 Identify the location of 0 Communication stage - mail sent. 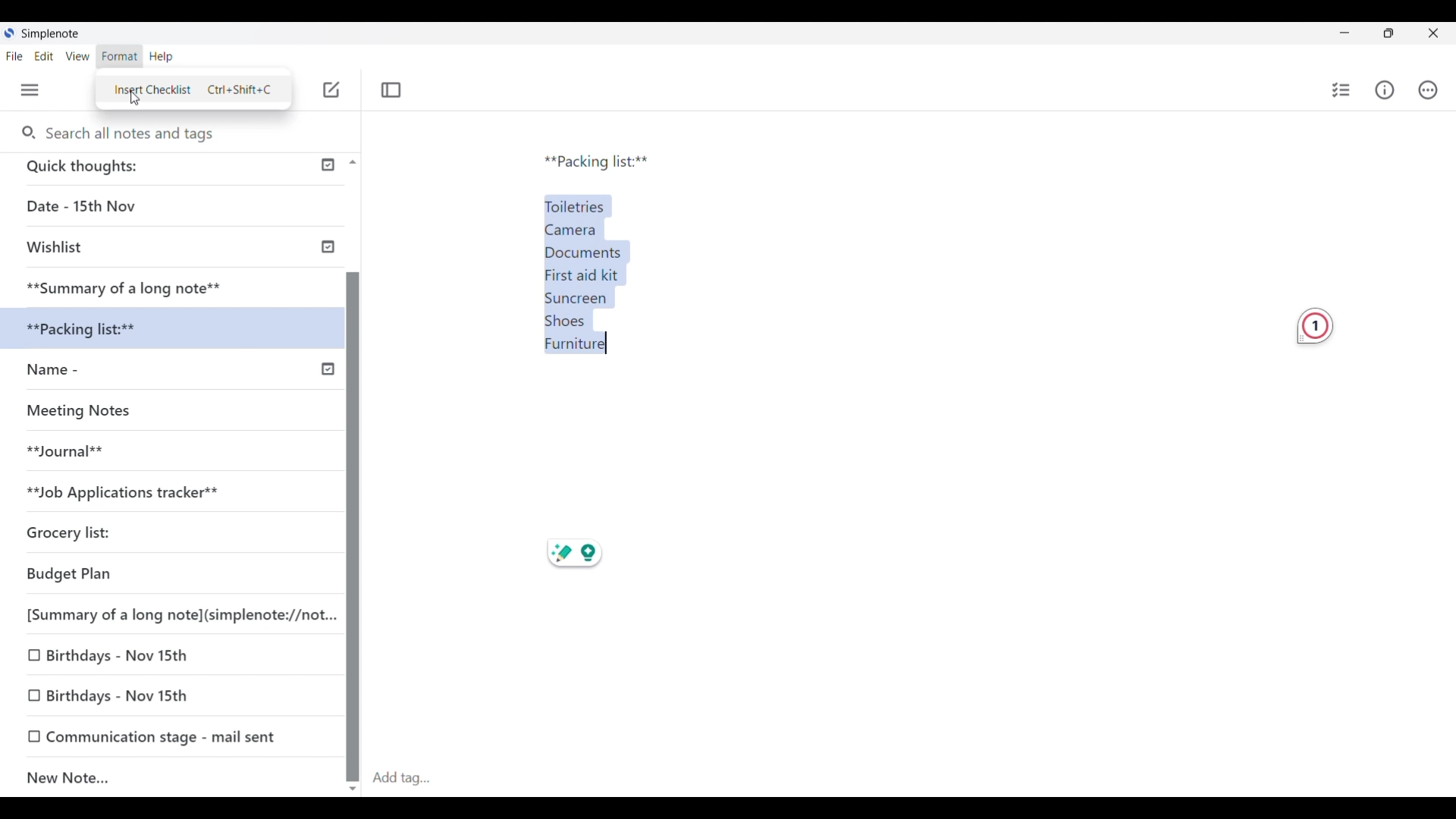
(153, 736).